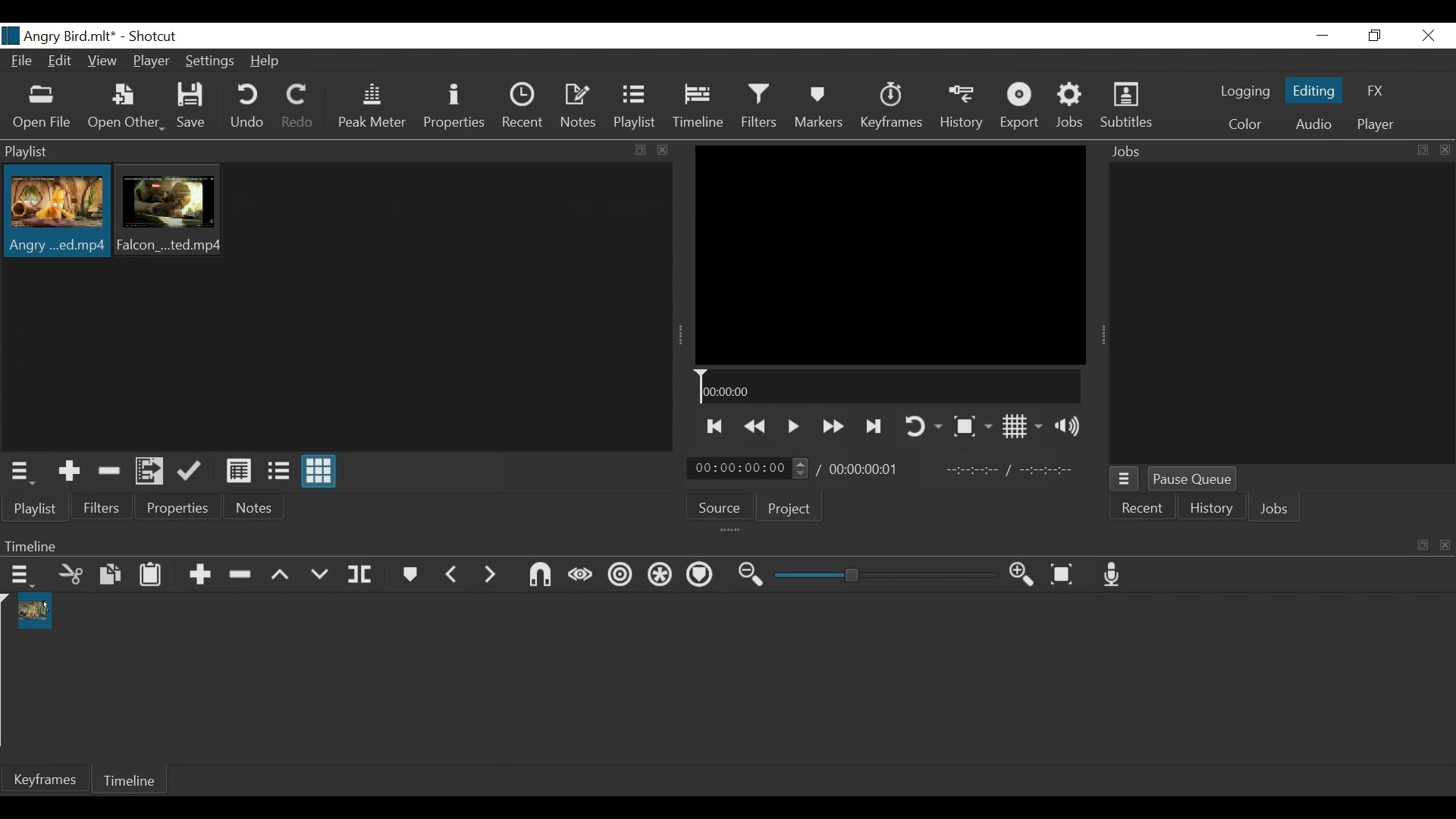 This screenshot has width=1456, height=819. I want to click on Filters, so click(762, 108).